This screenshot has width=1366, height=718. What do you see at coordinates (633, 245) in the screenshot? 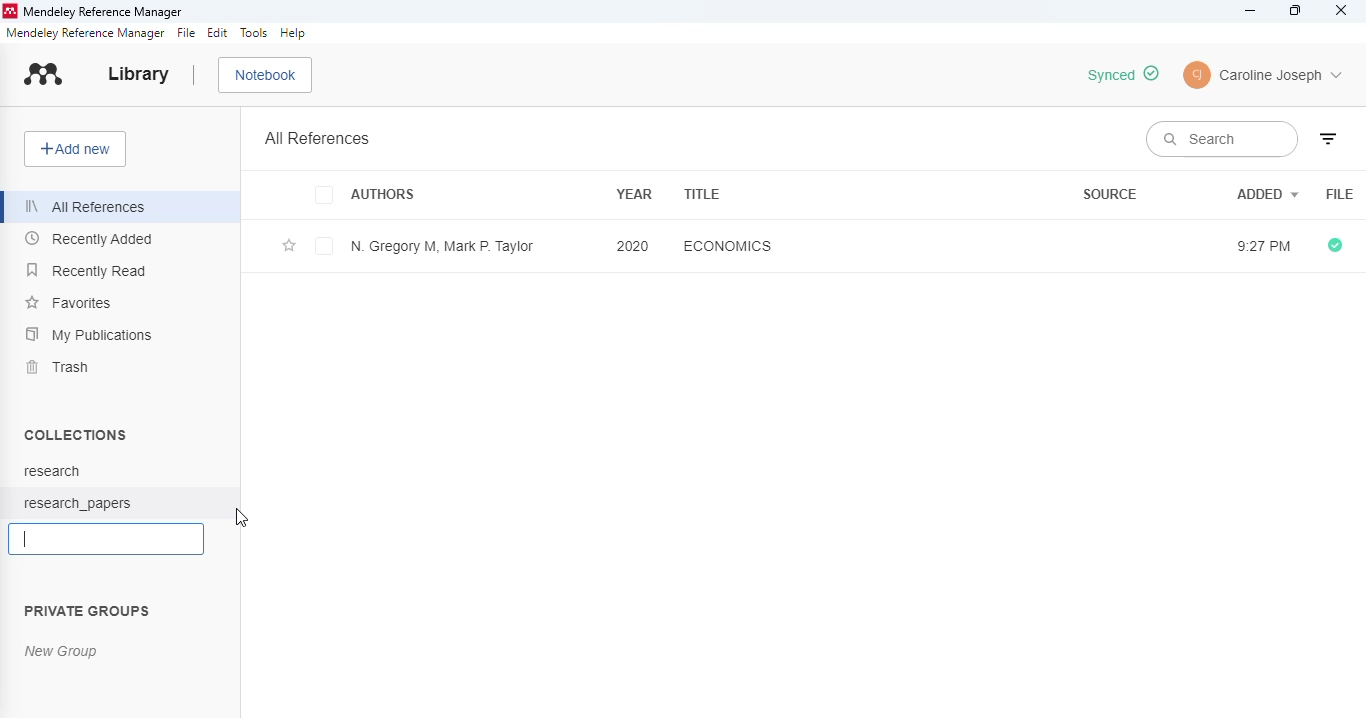
I see `2020` at bounding box center [633, 245].